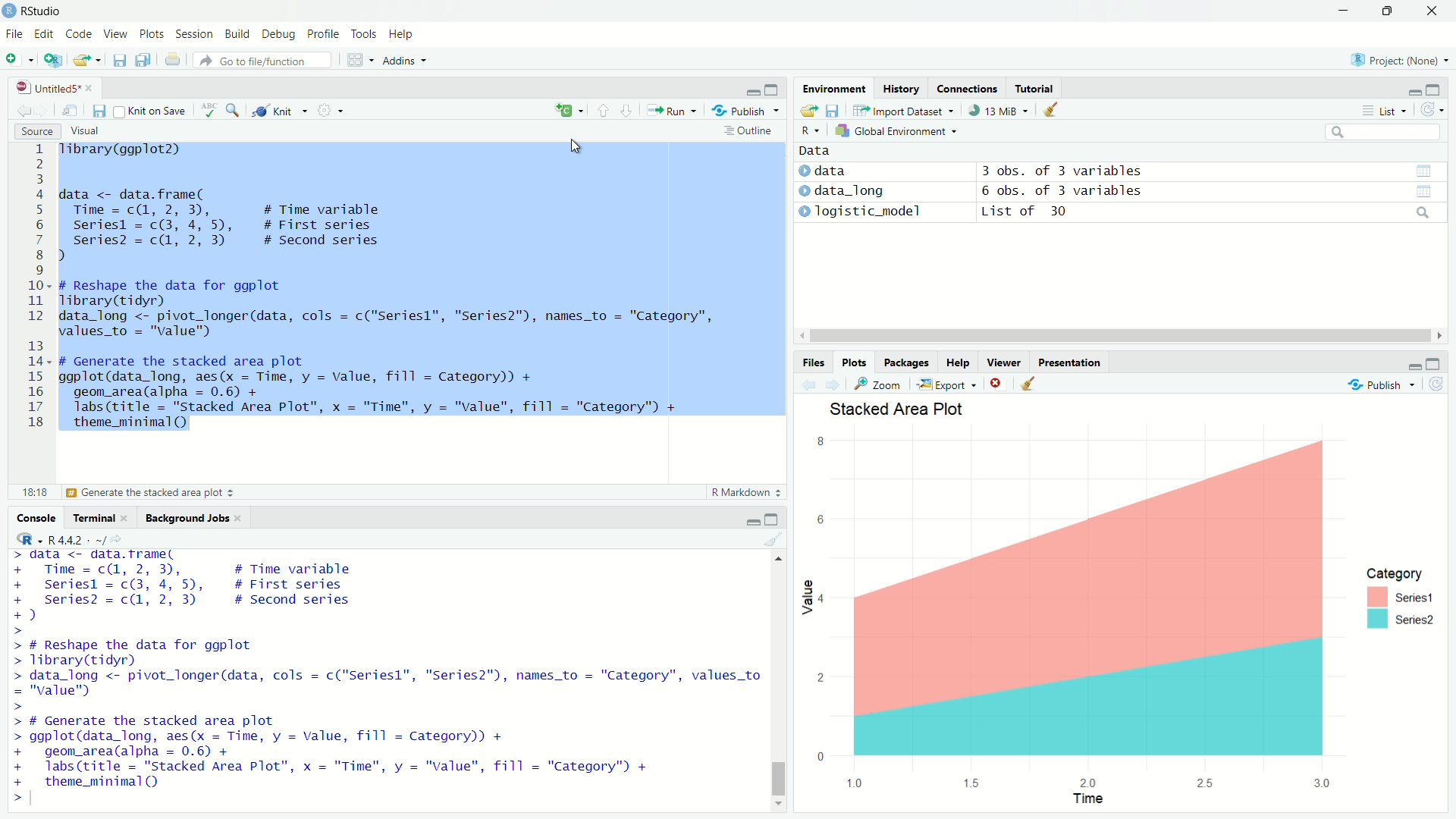  I want to click on Knit, so click(281, 111).